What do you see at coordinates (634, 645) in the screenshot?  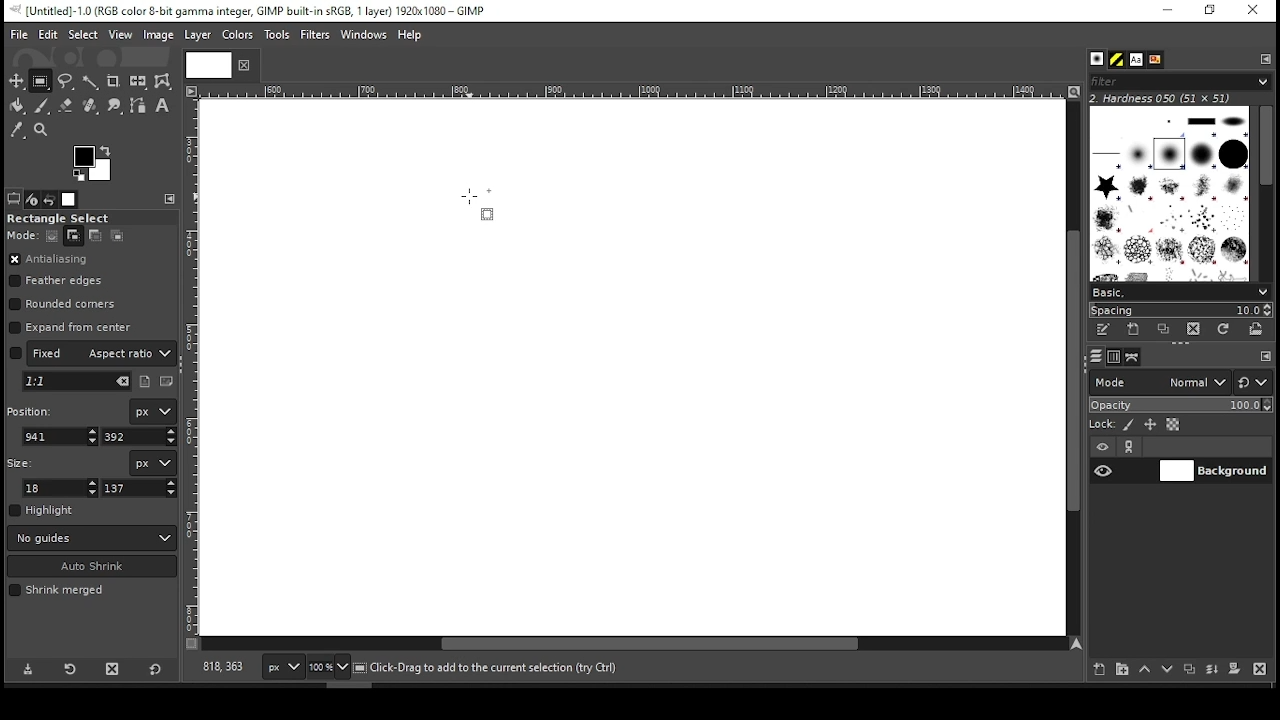 I see `scroll bar` at bounding box center [634, 645].